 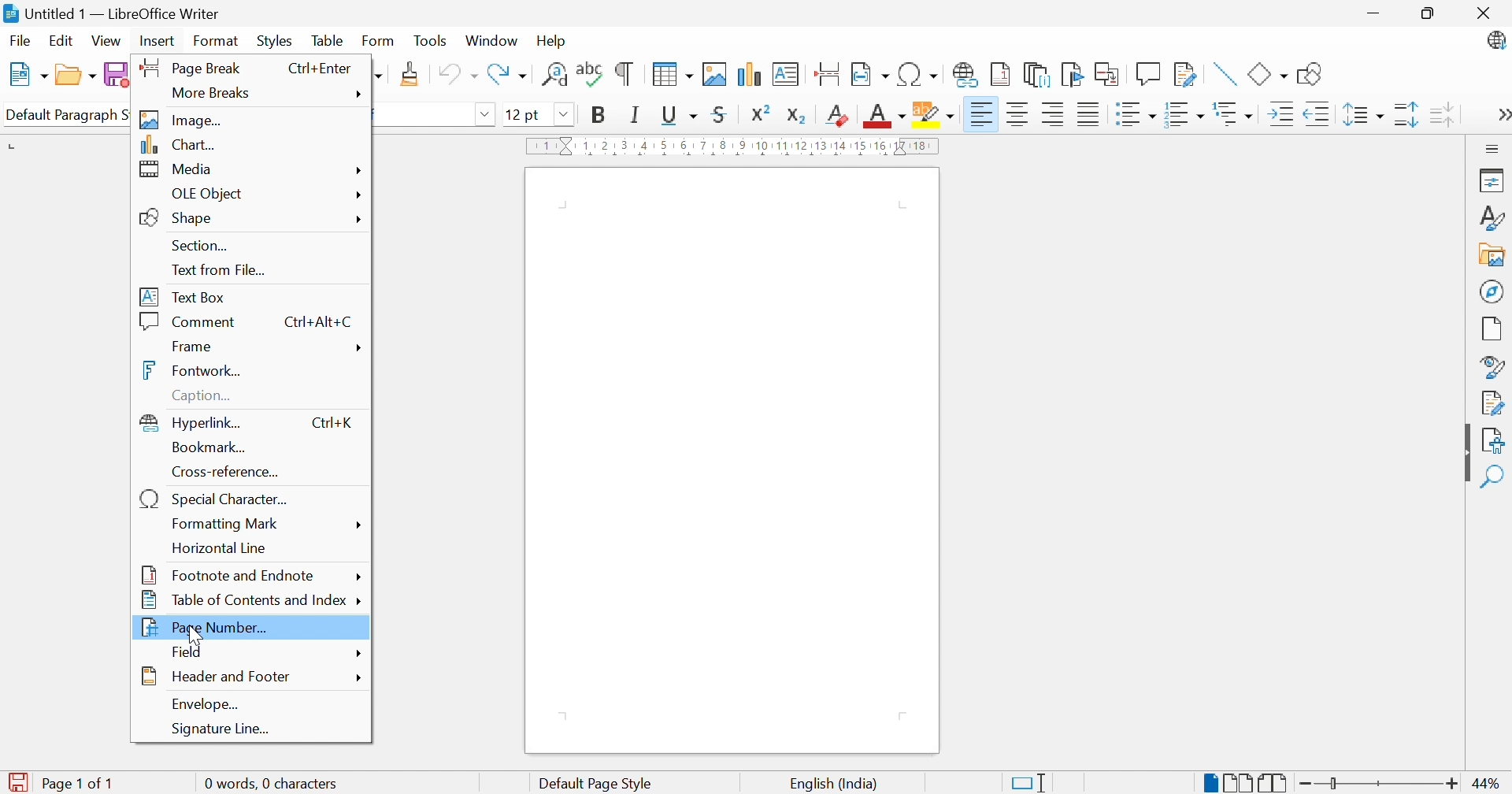 I want to click on Typing cursor, so click(x=569, y=213).